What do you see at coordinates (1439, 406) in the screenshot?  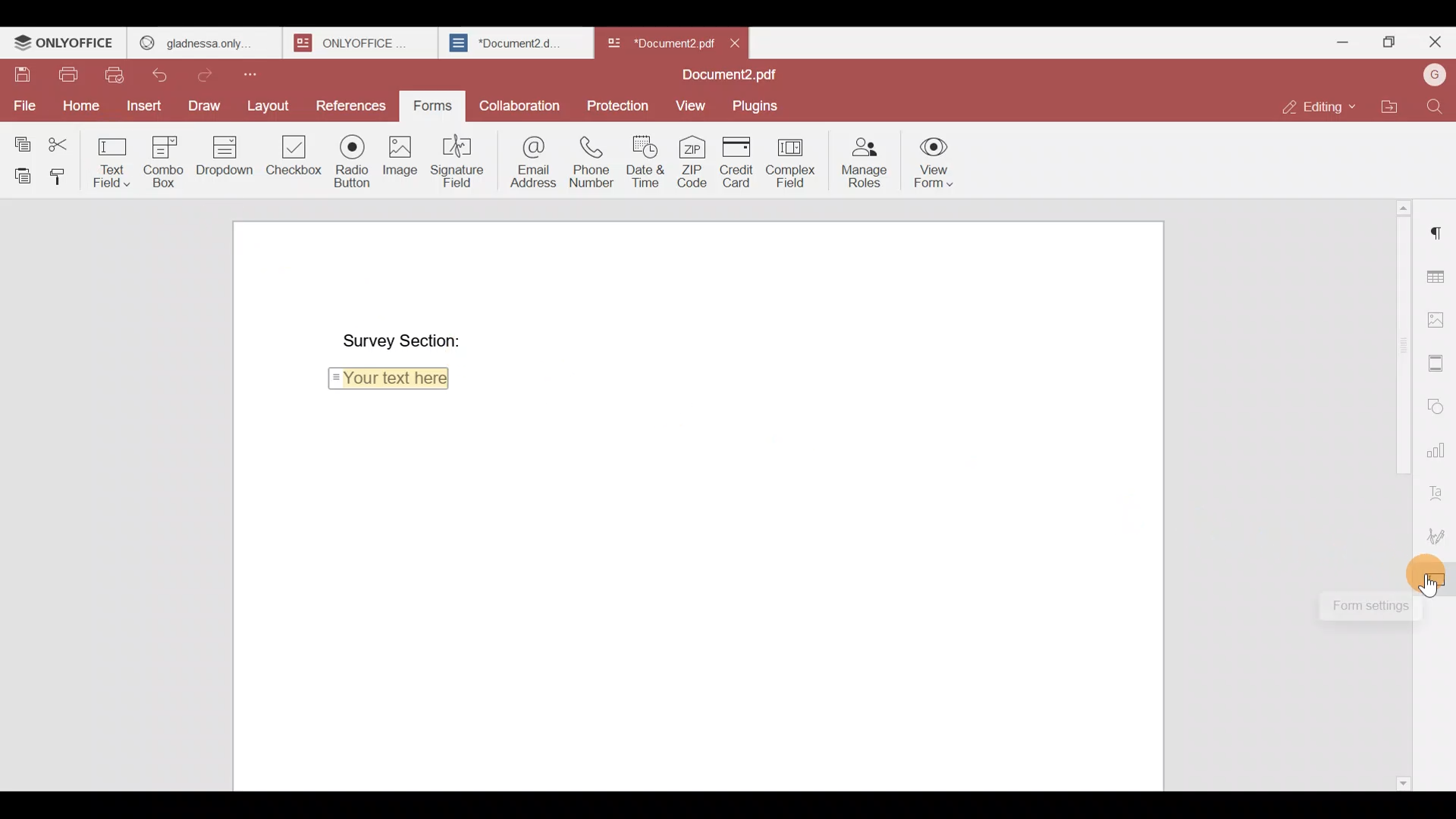 I see `Shapes settings` at bounding box center [1439, 406].